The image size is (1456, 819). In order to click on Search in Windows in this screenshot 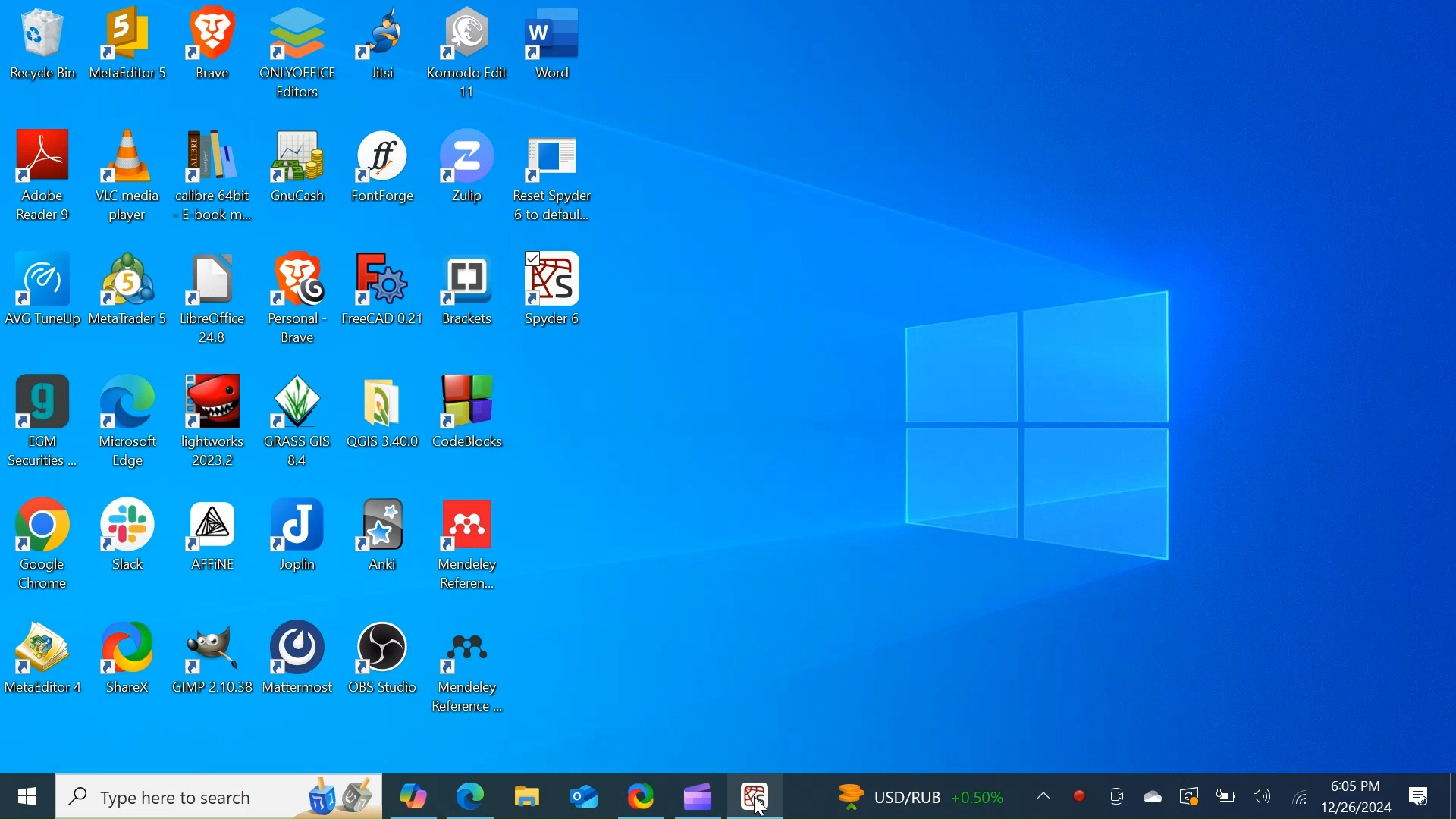, I will do `click(219, 797)`.